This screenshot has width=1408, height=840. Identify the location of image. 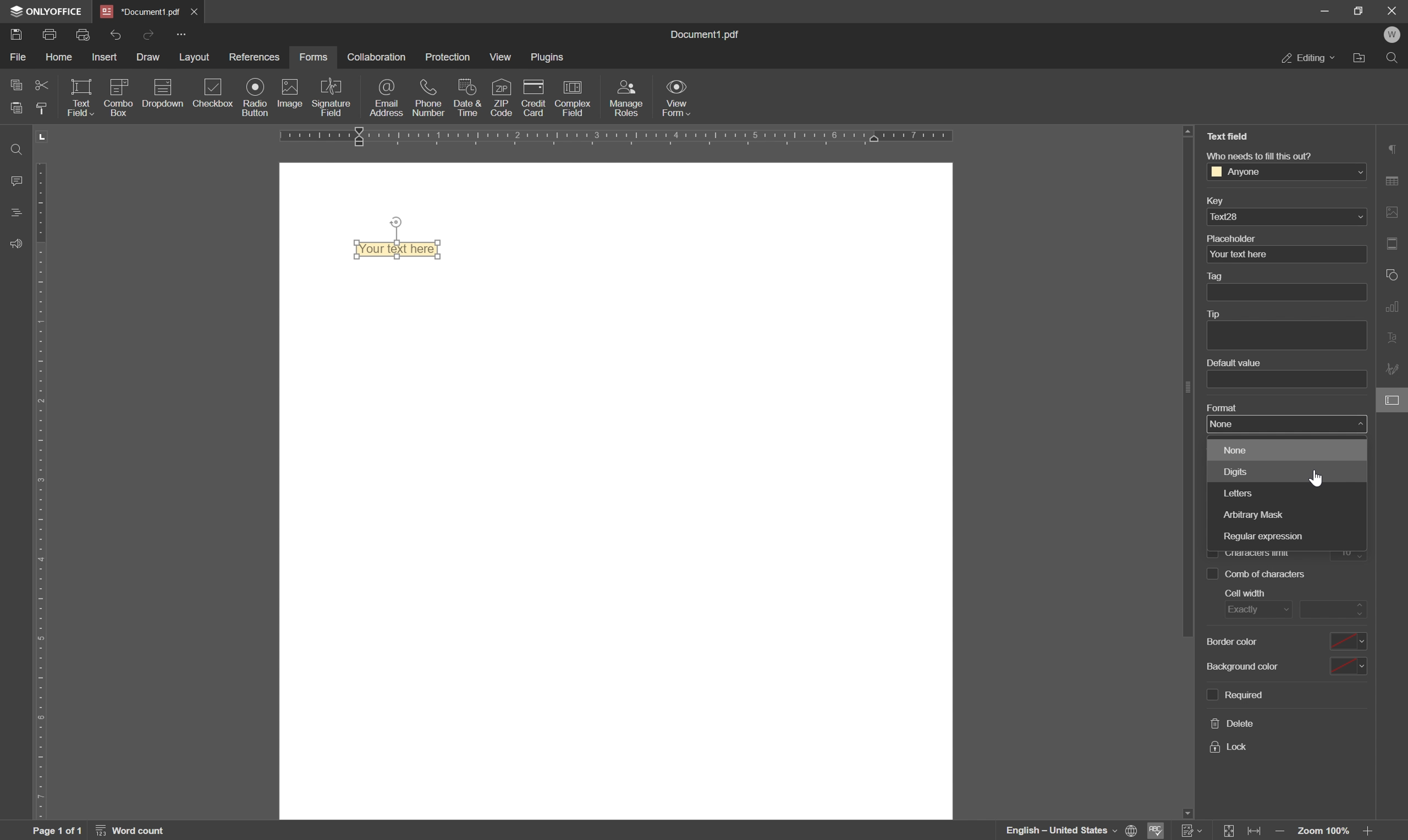
(292, 95).